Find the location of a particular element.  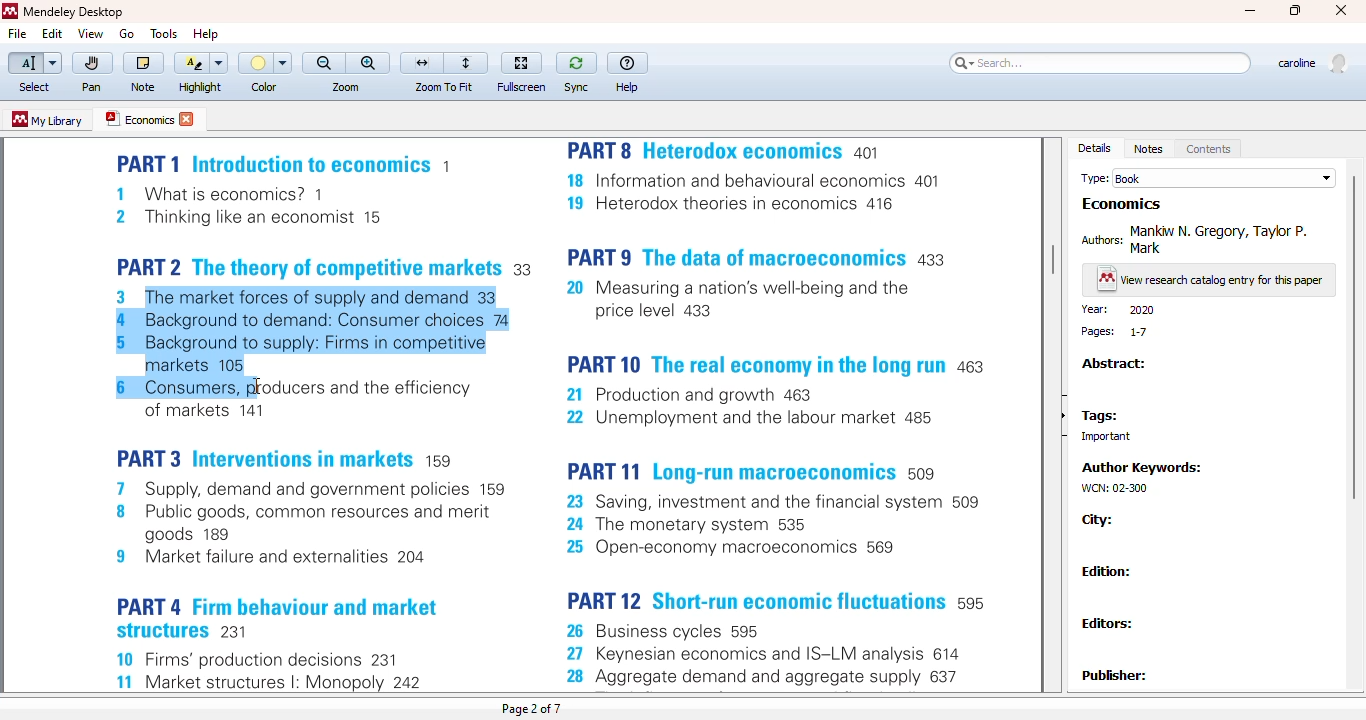

economics is located at coordinates (1122, 204).